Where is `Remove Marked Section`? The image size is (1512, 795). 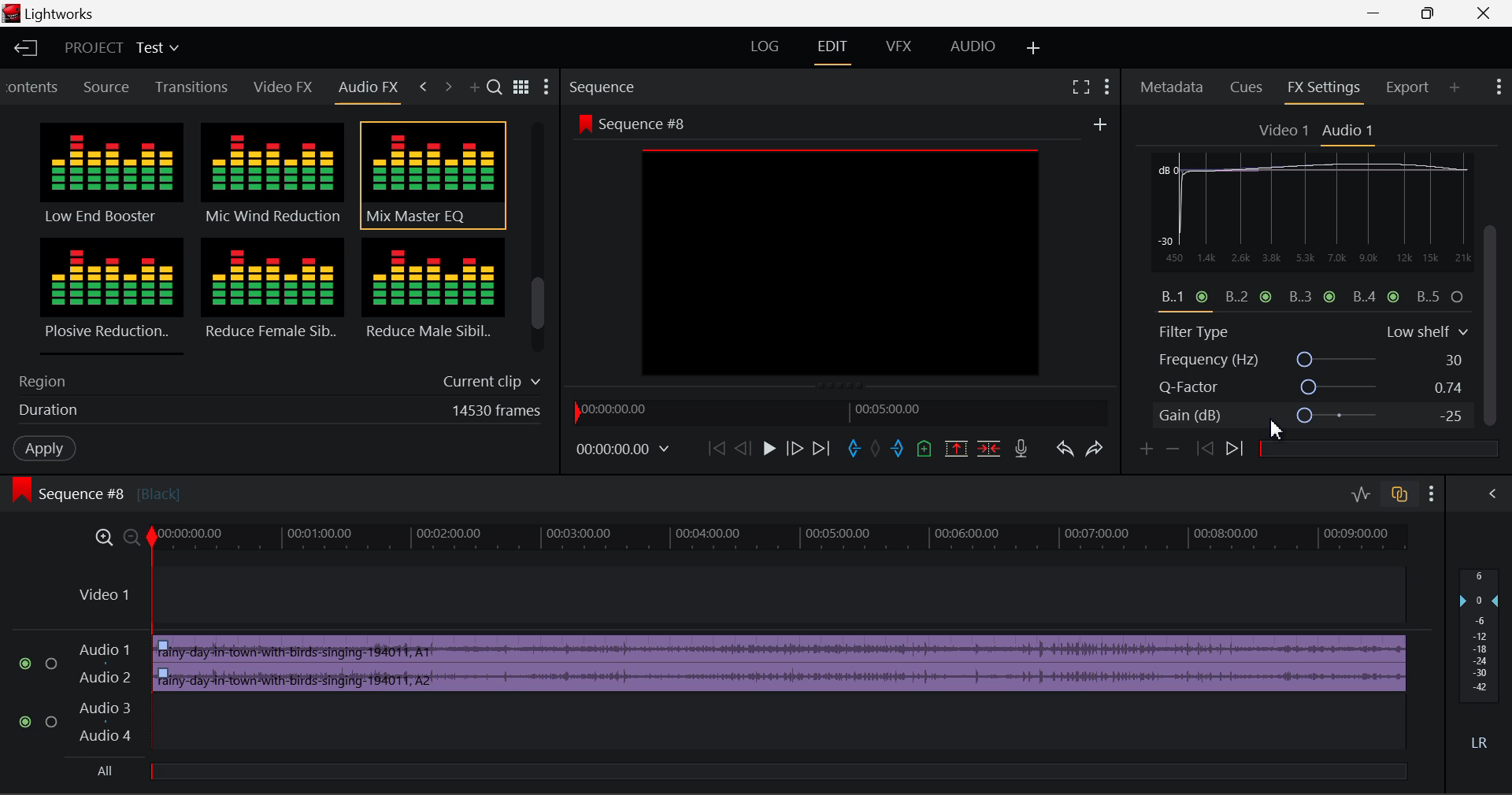
Remove Marked Section is located at coordinates (954, 448).